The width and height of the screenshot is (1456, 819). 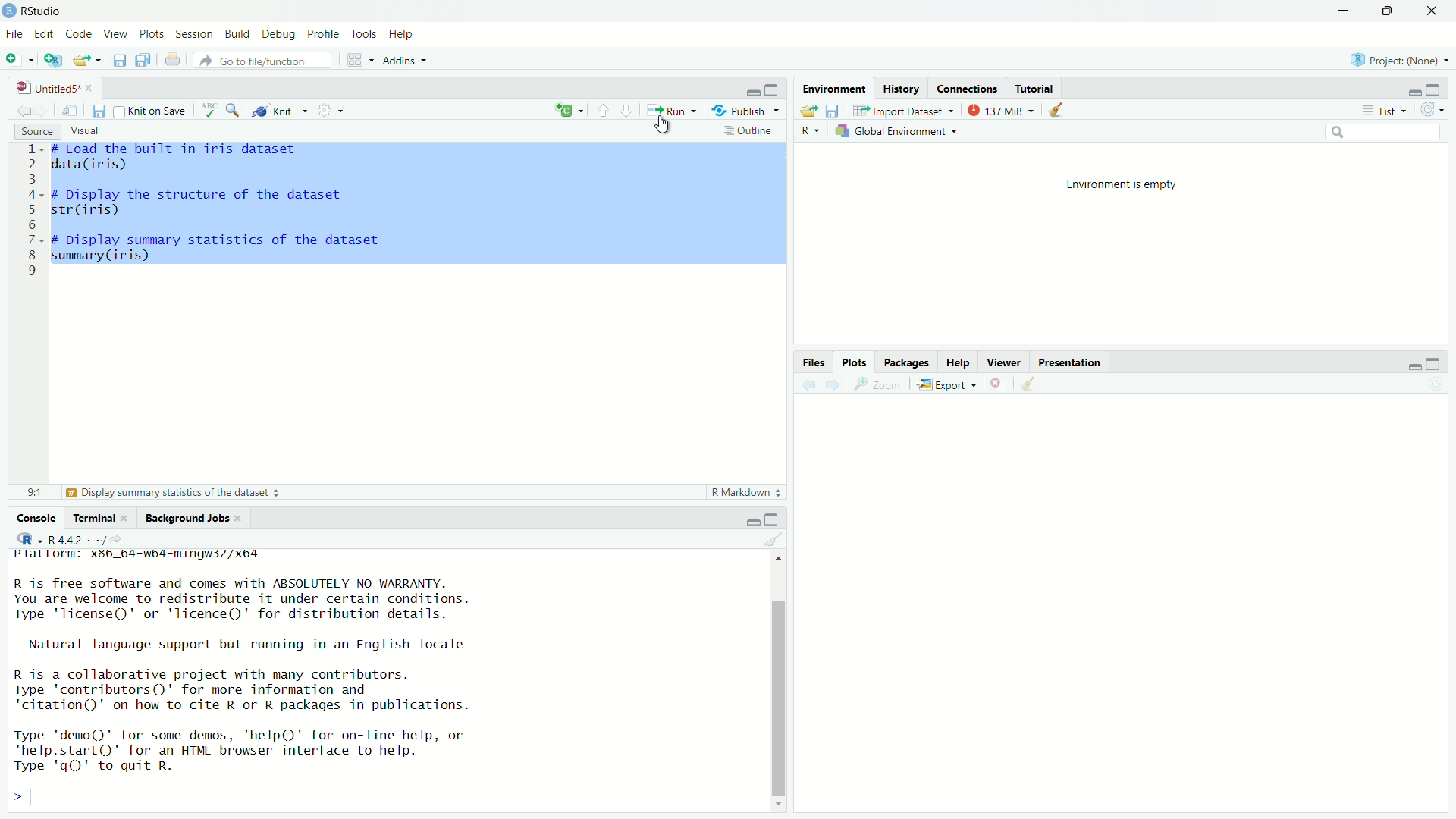 What do you see at coordinates (405, 61) in the screenshot?
I see `Addins` at bounding box center [405, 61].